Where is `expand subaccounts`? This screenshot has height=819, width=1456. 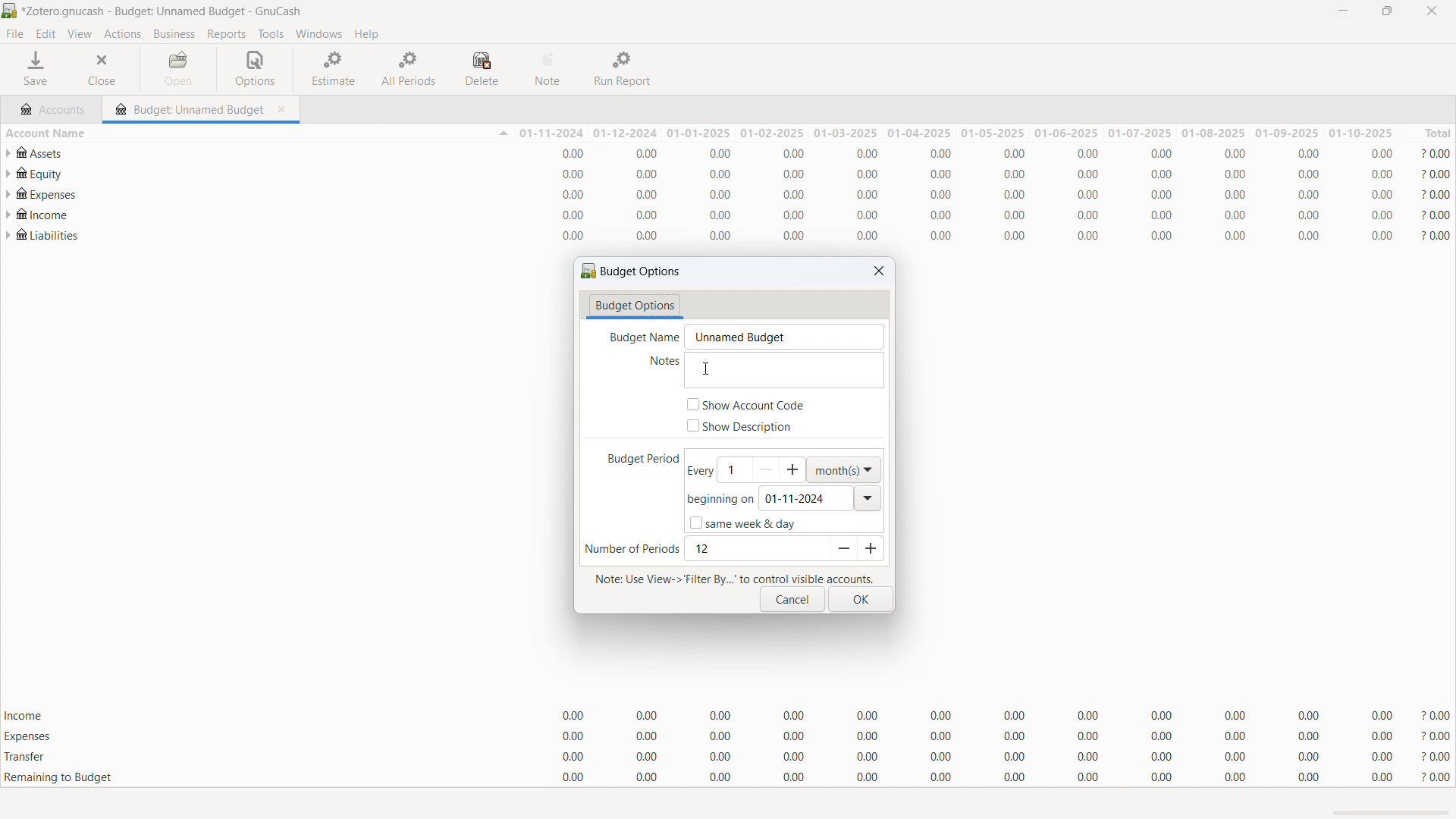
expand subaccounts is located at coordinates (9, 235).